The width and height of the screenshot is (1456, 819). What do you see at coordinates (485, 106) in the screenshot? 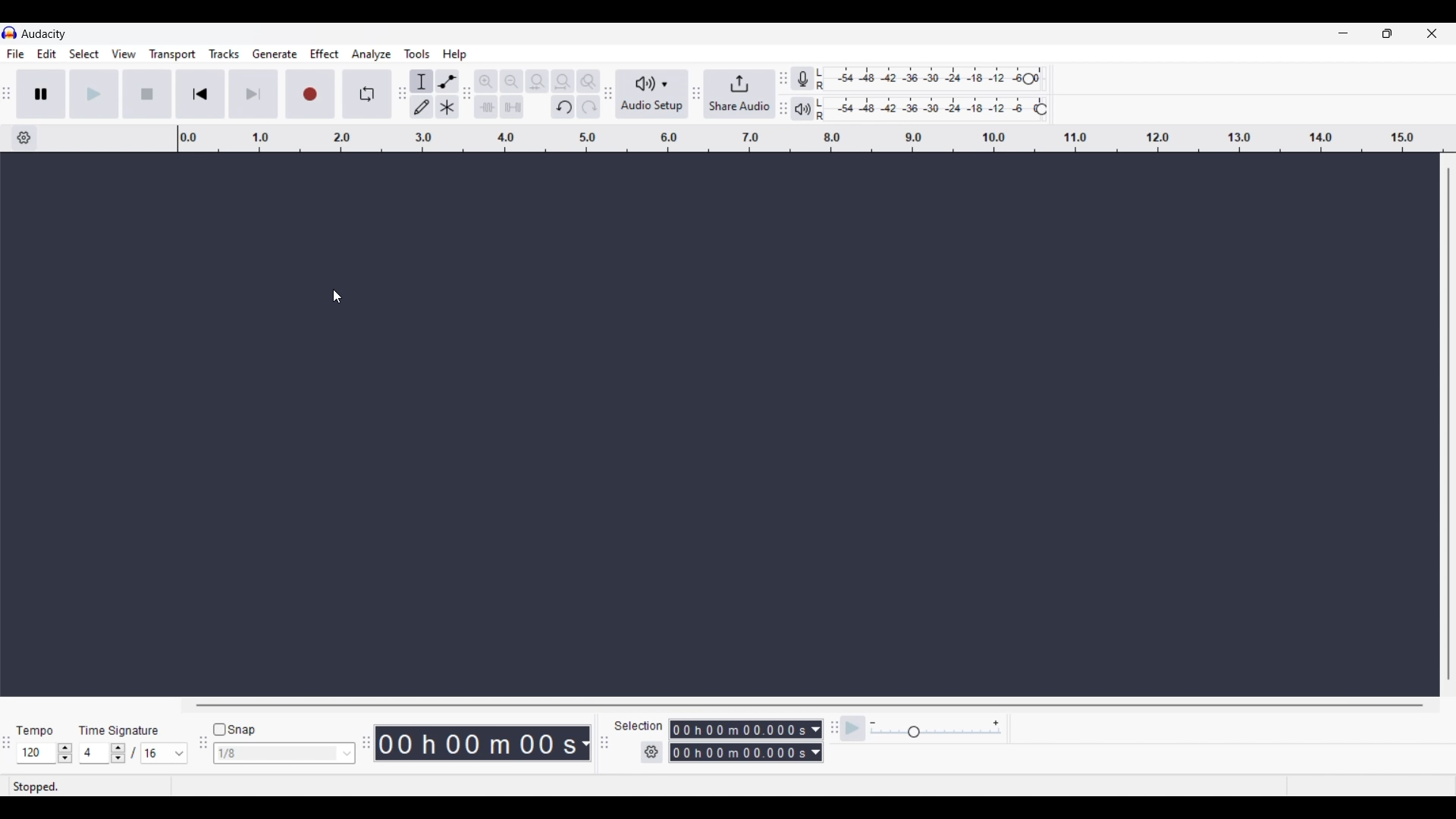
I see `Trim audio outside selection` at bounding box center [485, 106].